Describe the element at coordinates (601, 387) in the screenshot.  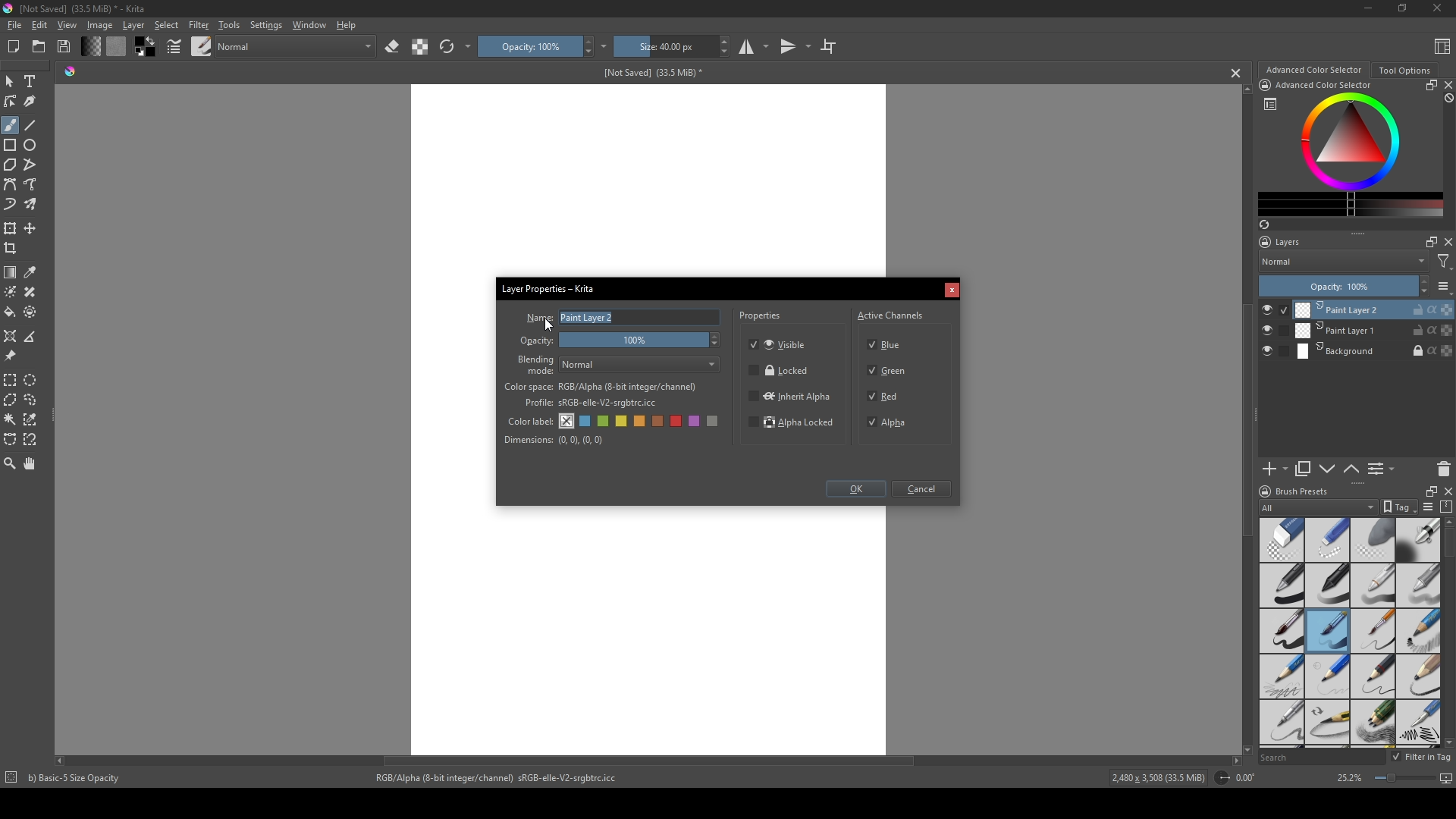
I see `Color space: RGB/Alpha (8-bit integer/ channel):` at that location.